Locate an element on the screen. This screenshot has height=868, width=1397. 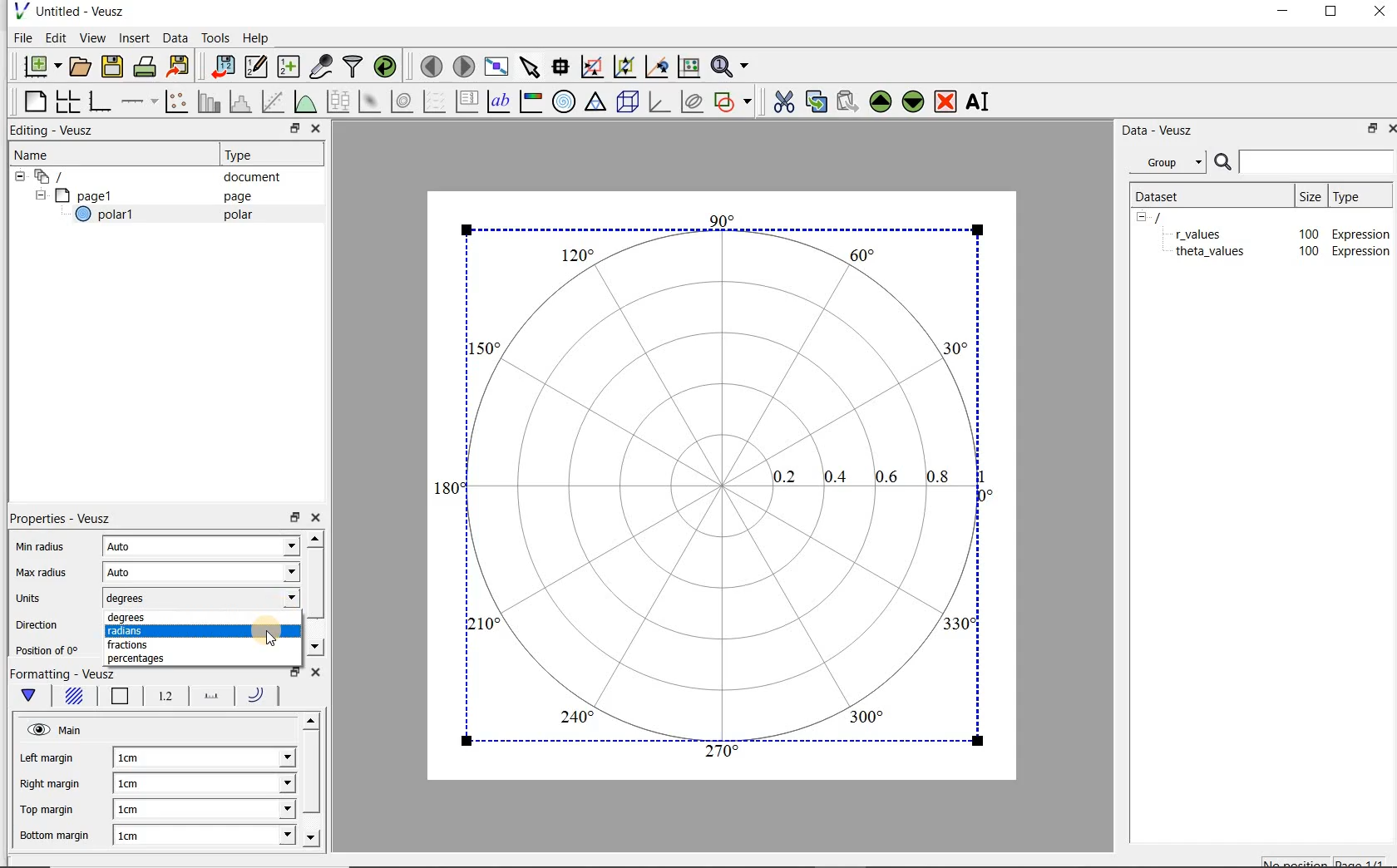
Move the selected widget down is located at coordinates (914, 101).